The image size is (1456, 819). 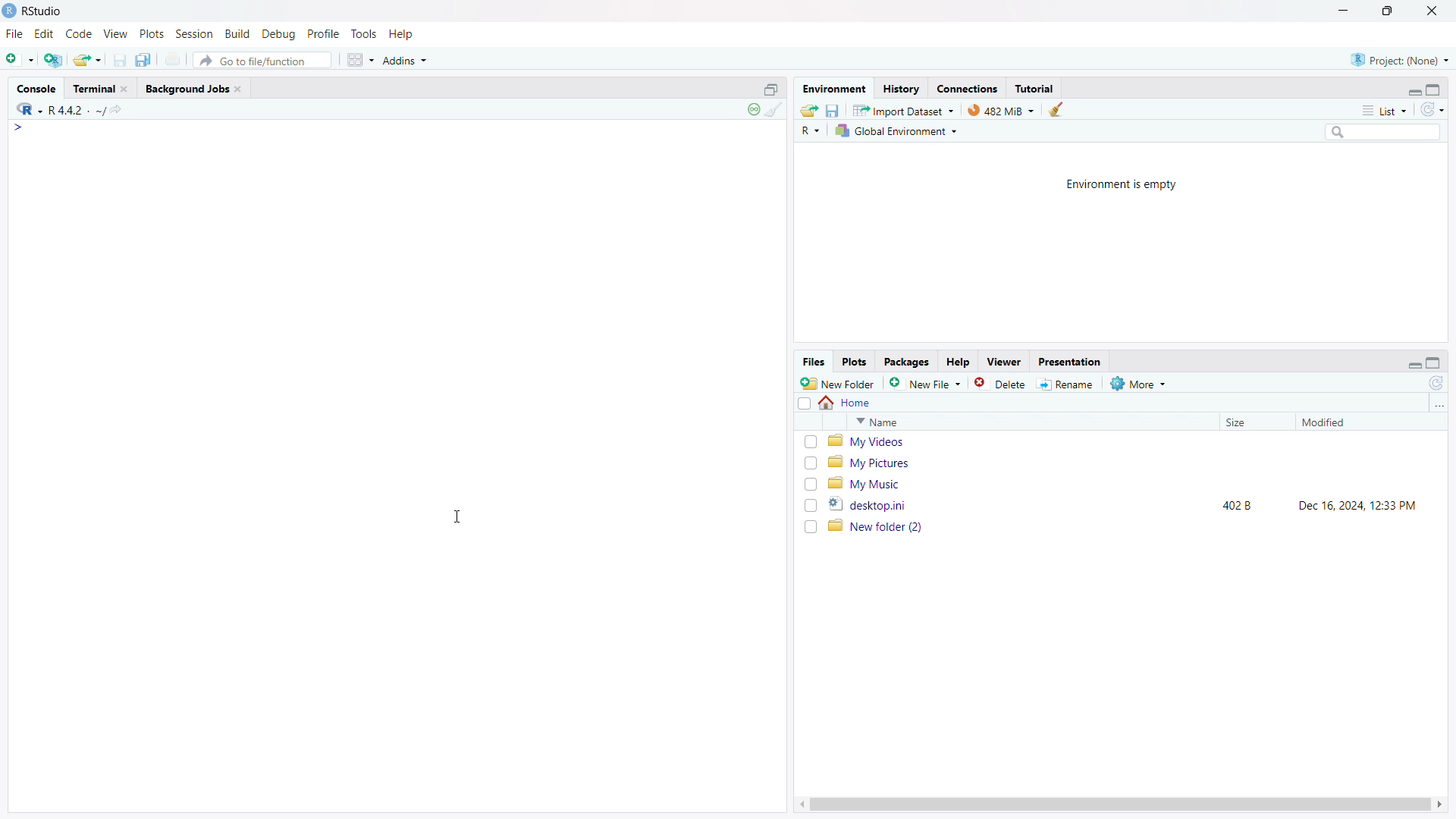 I want to click on modified, so click(x=1351, y=422).